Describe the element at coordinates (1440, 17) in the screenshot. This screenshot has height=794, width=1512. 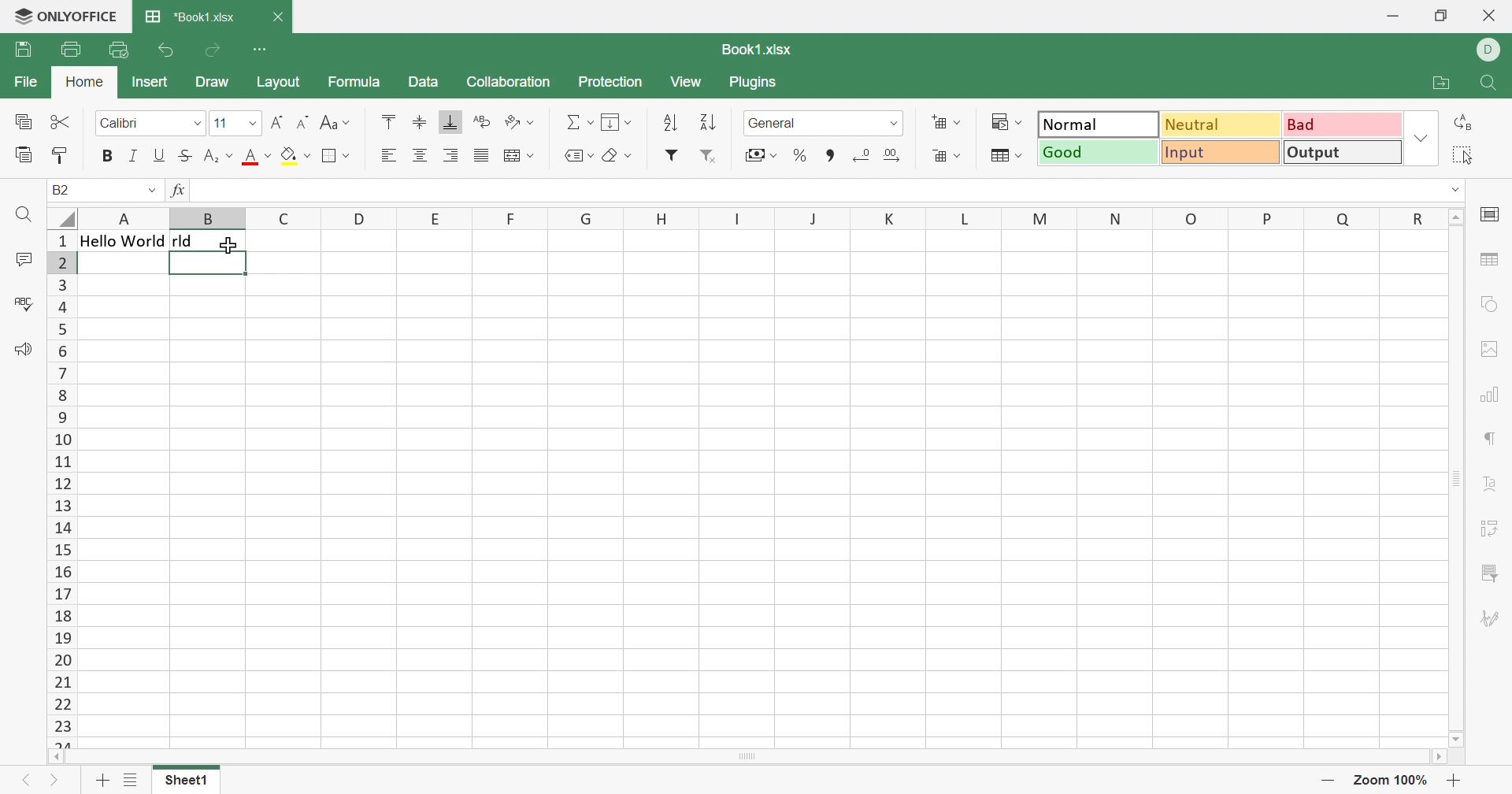
I see `Restore down` at that location.